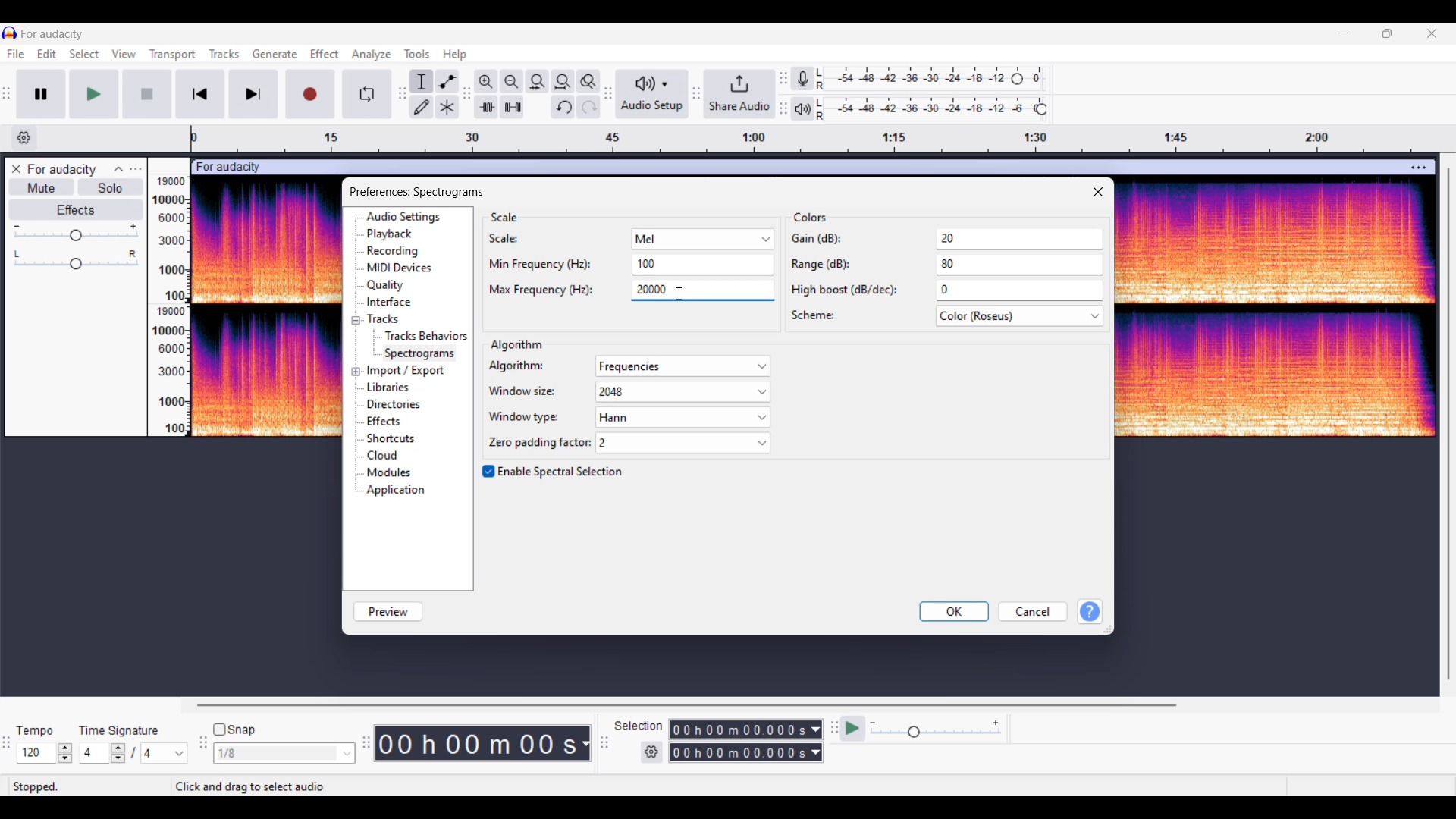 This screenshot has width=1456, height=819. I want to click on Help menu, so click(455, 55).